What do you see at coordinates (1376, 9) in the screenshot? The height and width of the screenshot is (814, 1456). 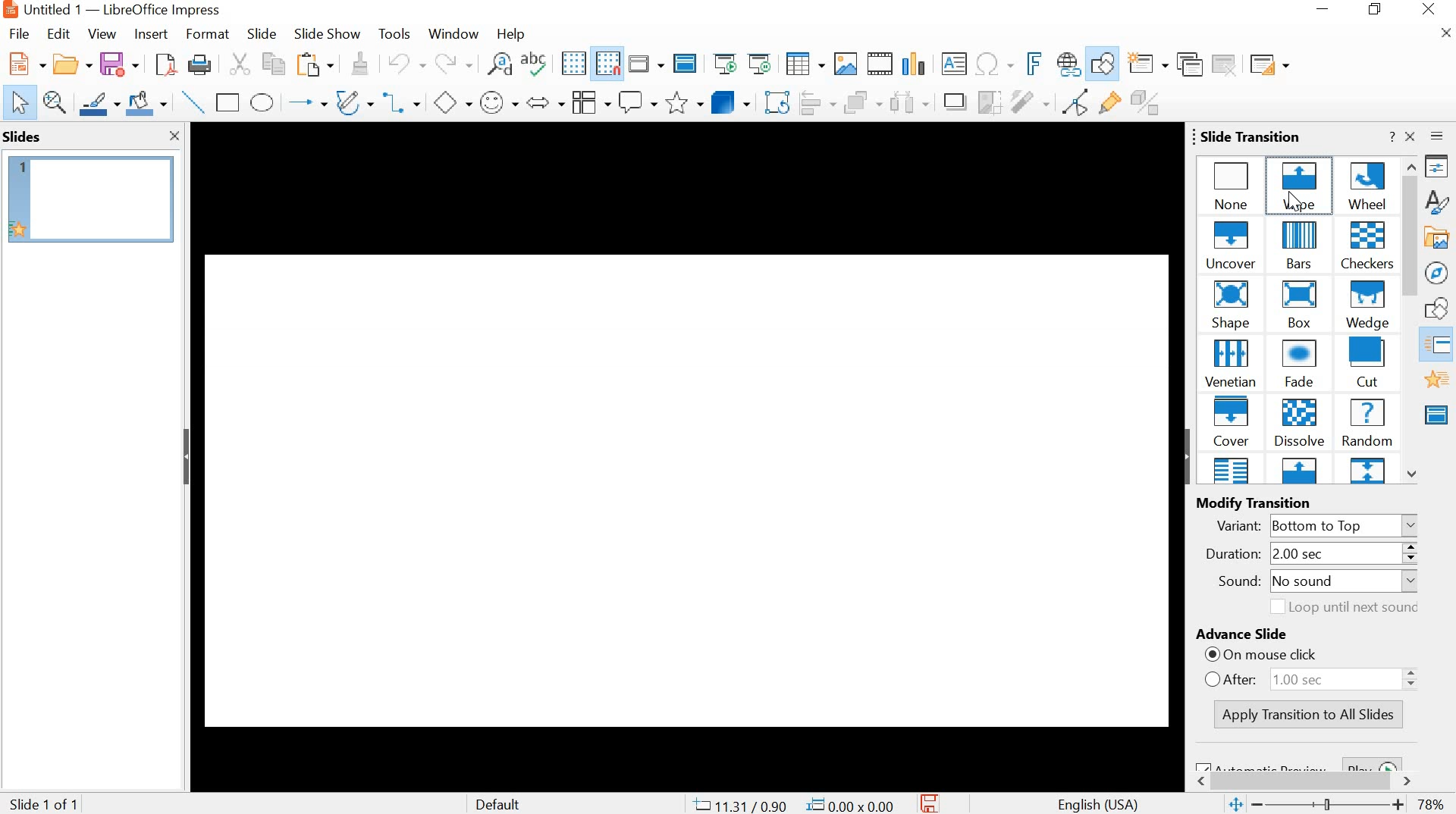 I see `RESTORE DOWN` at bounding box center [1376, 9].